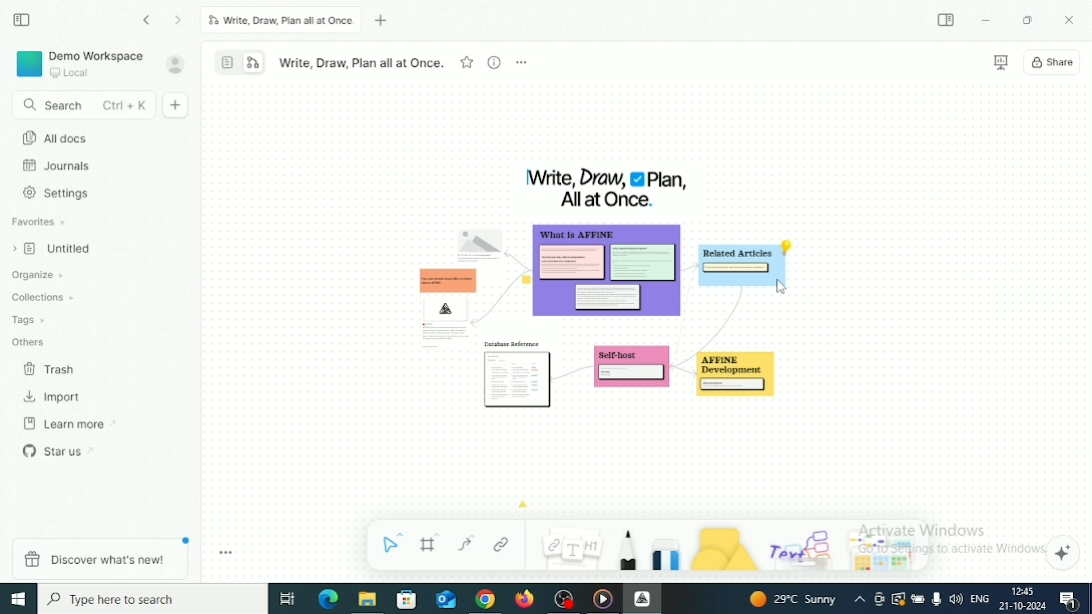 This screenshot has height=614, width=1092. What do you see at coordinates (59, 193) in the screenshot?
I see `Settings` at bounding box center [59, 193].